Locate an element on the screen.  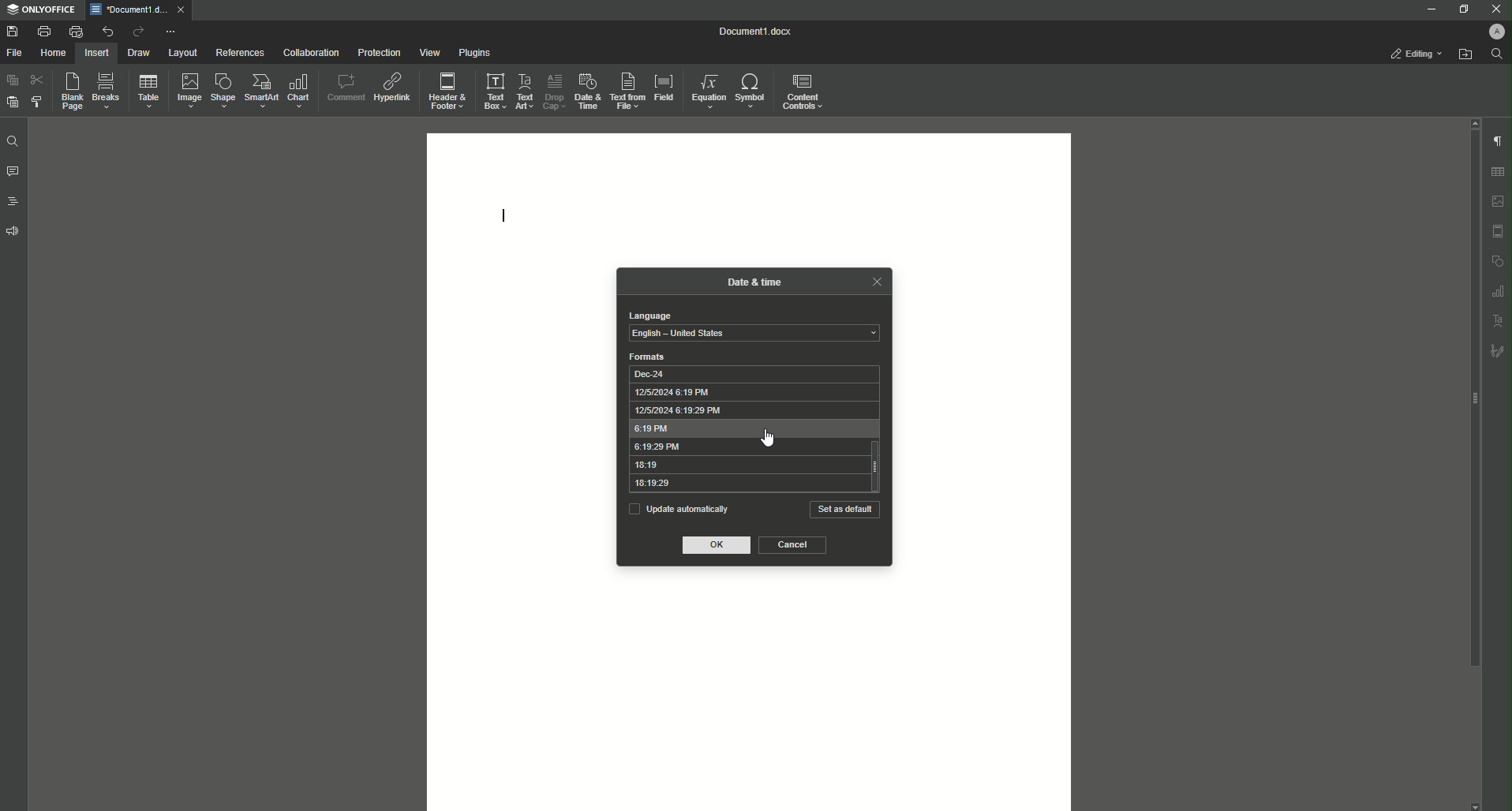
Dec-24 is located at coordinates (747, 373).